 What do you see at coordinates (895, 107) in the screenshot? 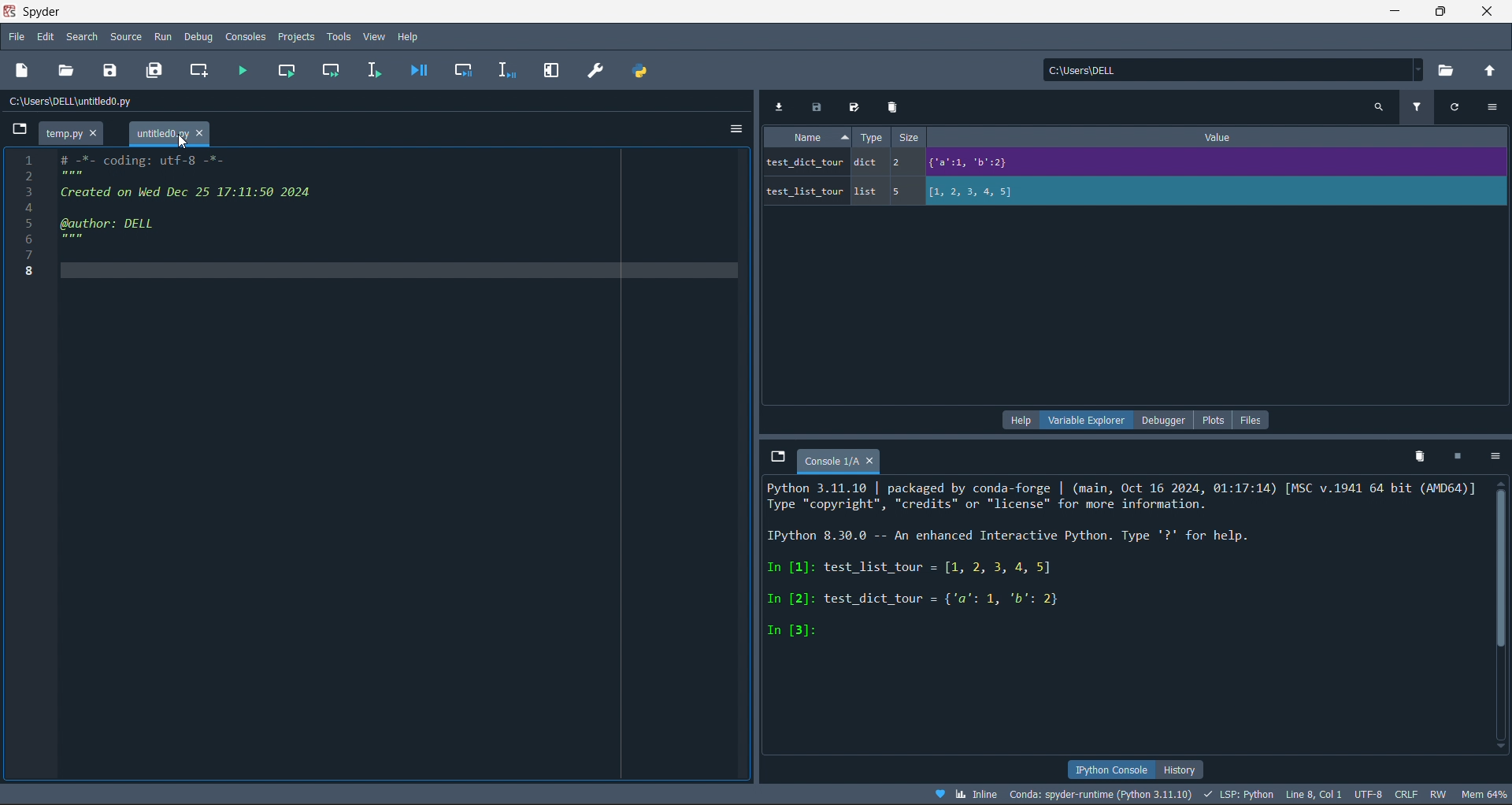
I see `remove variable` at bounding box center [895, 107].